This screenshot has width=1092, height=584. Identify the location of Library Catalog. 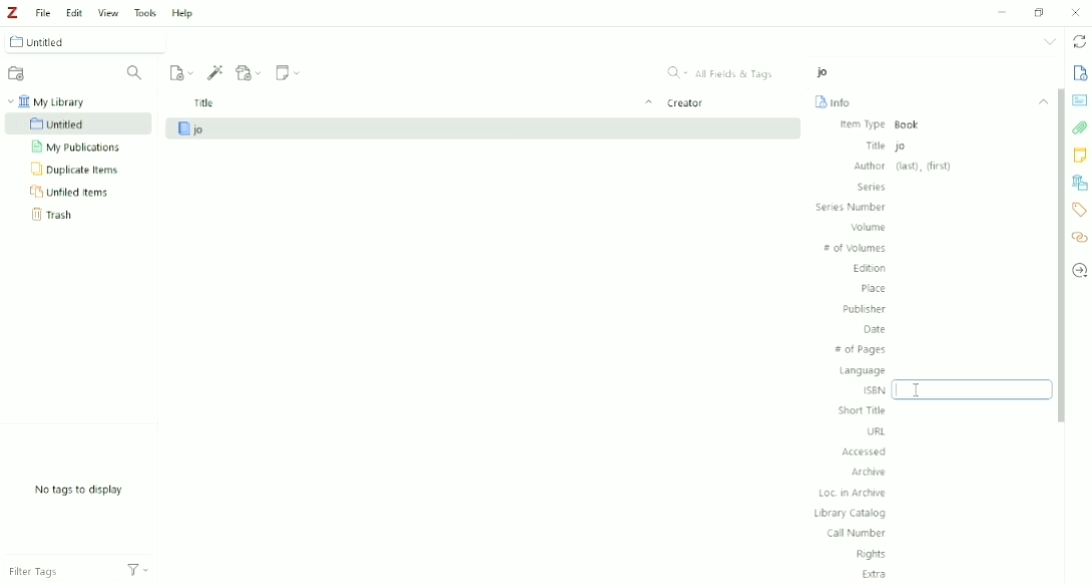
(849, 513).